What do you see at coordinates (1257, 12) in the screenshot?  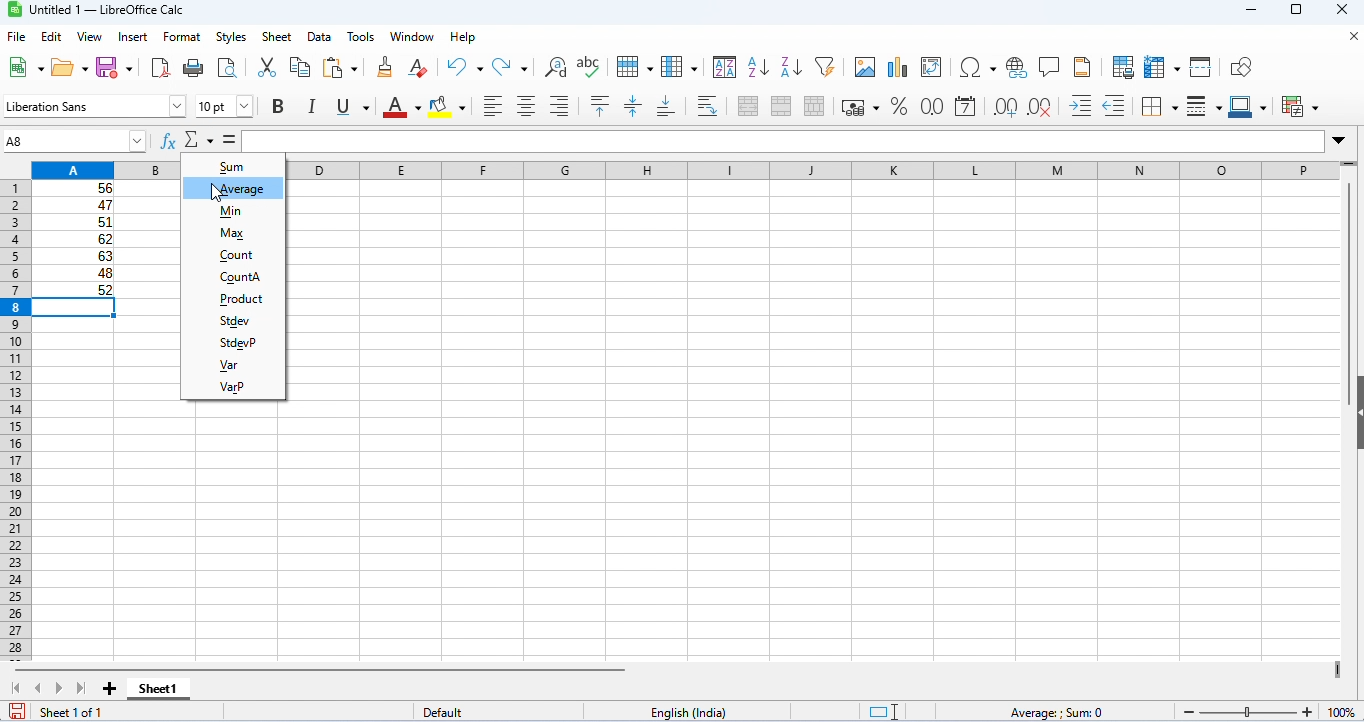 I see `minimize` at bounding box center [1257, 12].